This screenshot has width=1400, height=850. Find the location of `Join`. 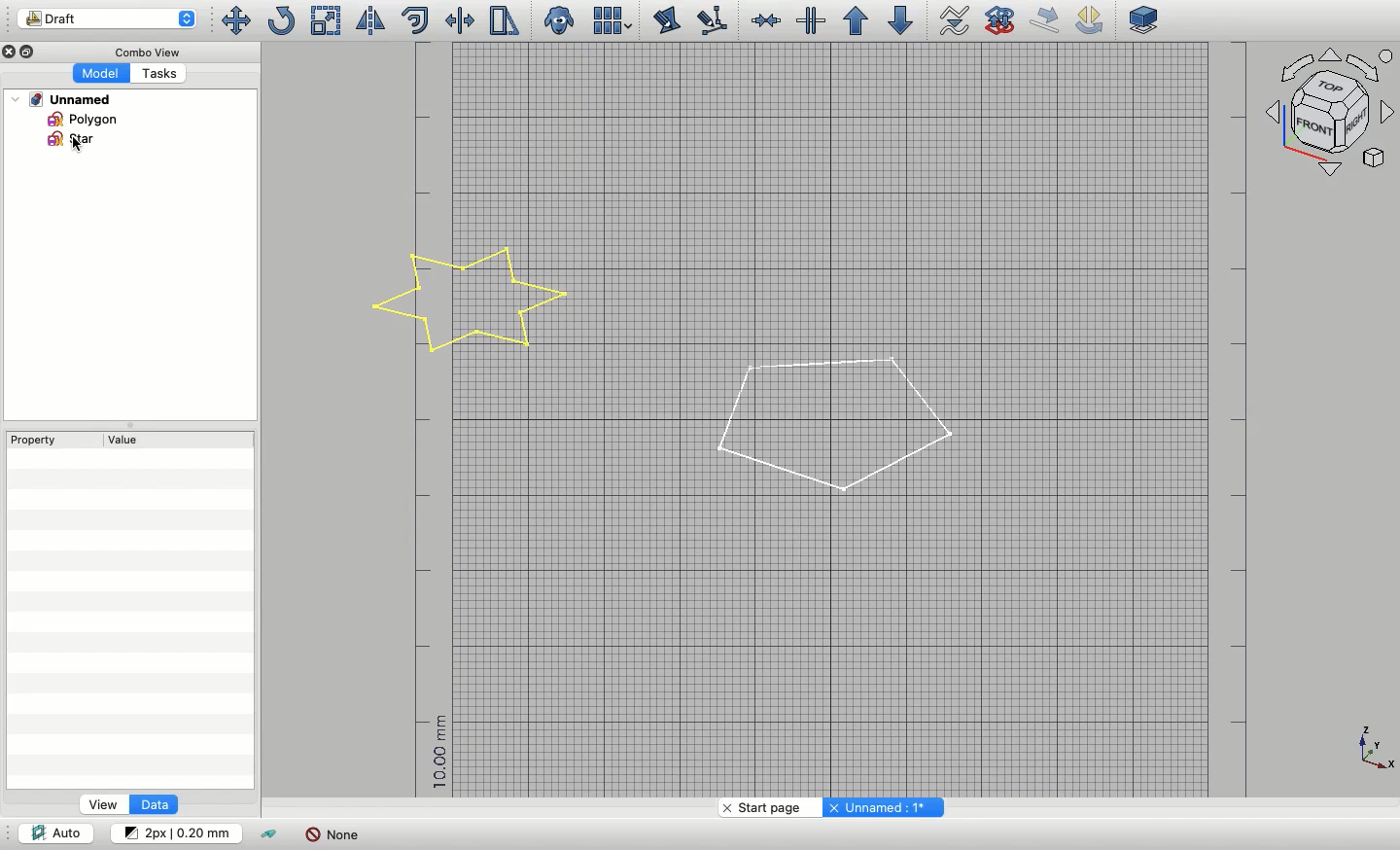

Join is located at coordinates (765, 20).